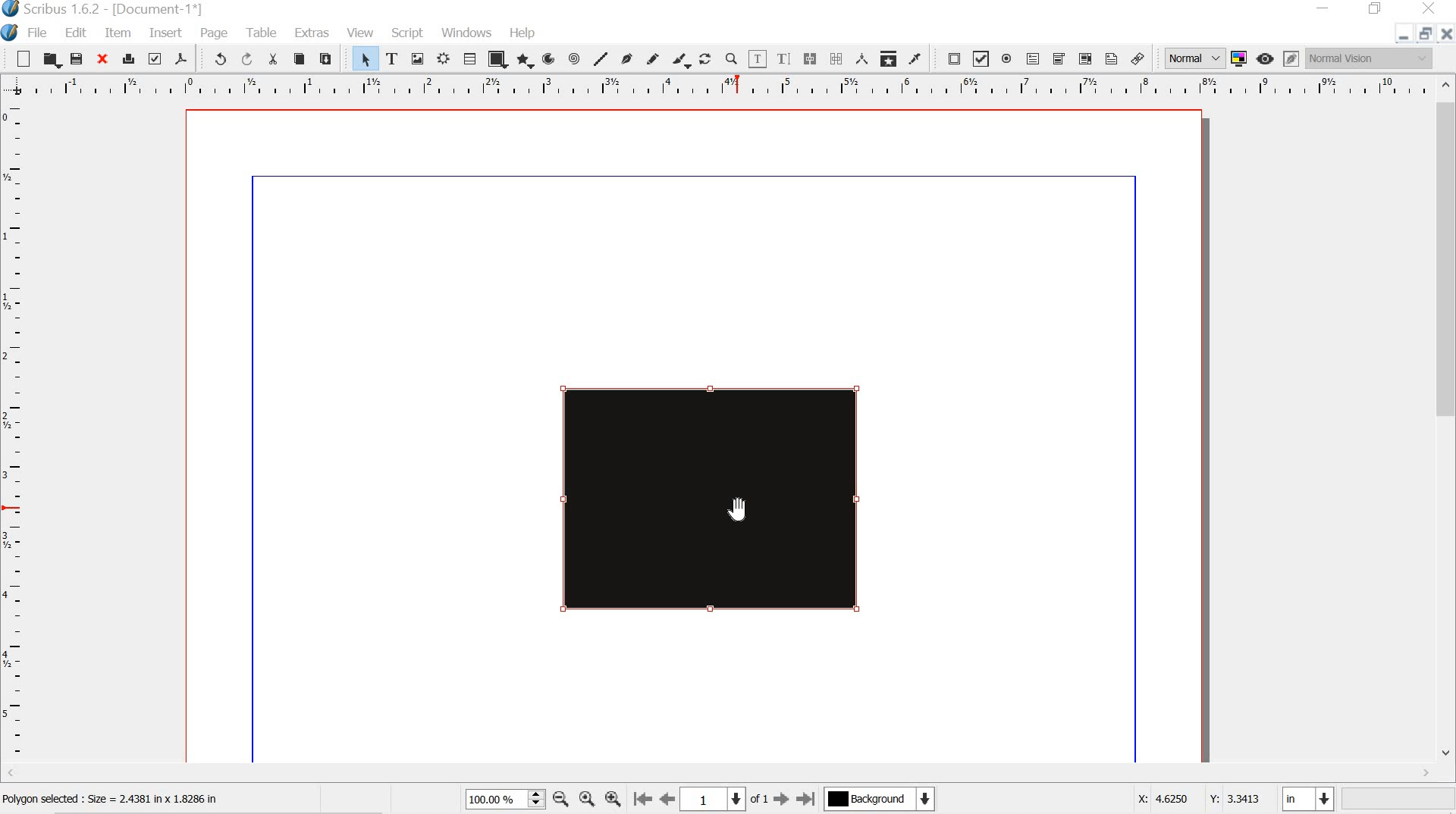 The image size is (1456, 814). I want to click on scribus logo, so click(12, 33).